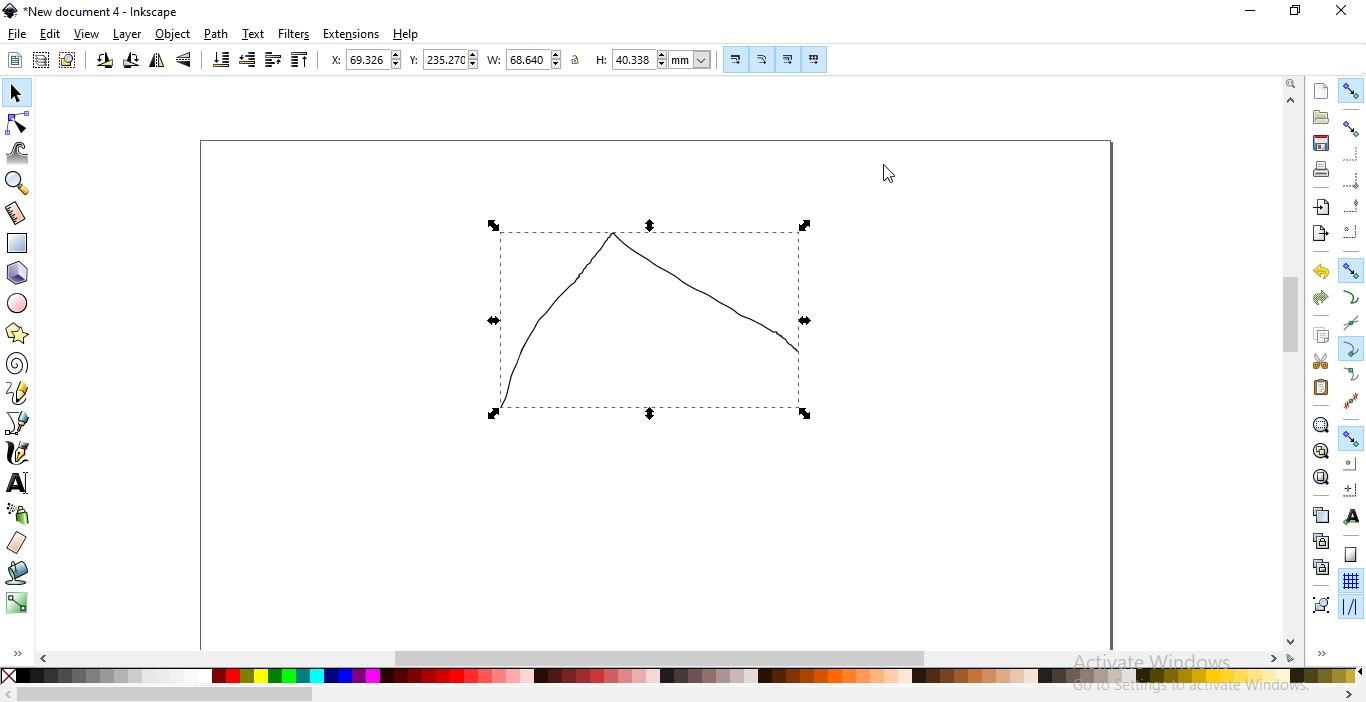  What do you see at coordinates (1350, 349) in the screenshot?
I see `snap cusp nodes incl rectangles corners` at bounding box center [1350, 349].